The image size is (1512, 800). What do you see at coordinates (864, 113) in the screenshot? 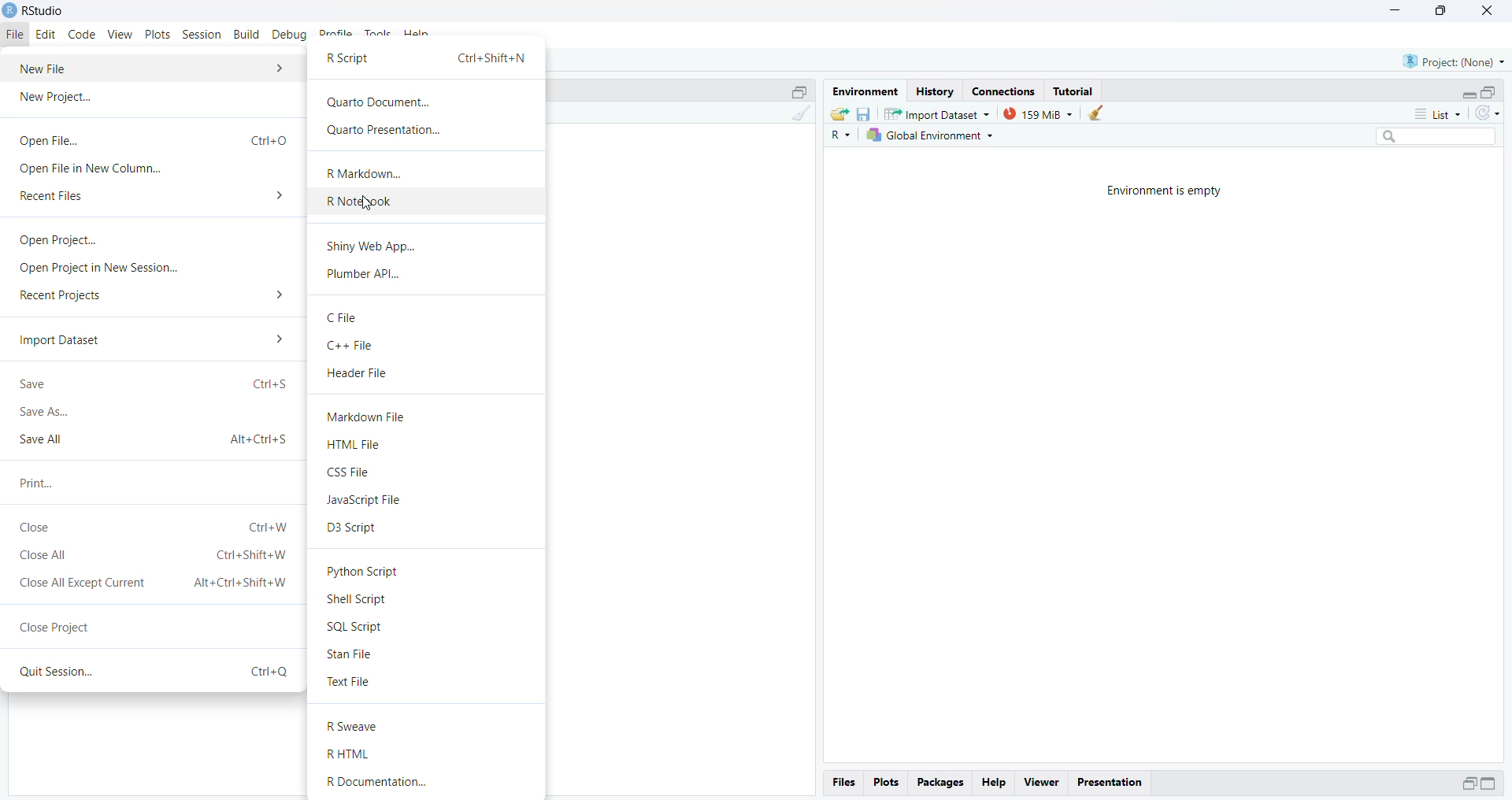
I see `save workspace` at bounding box center [864, 113].